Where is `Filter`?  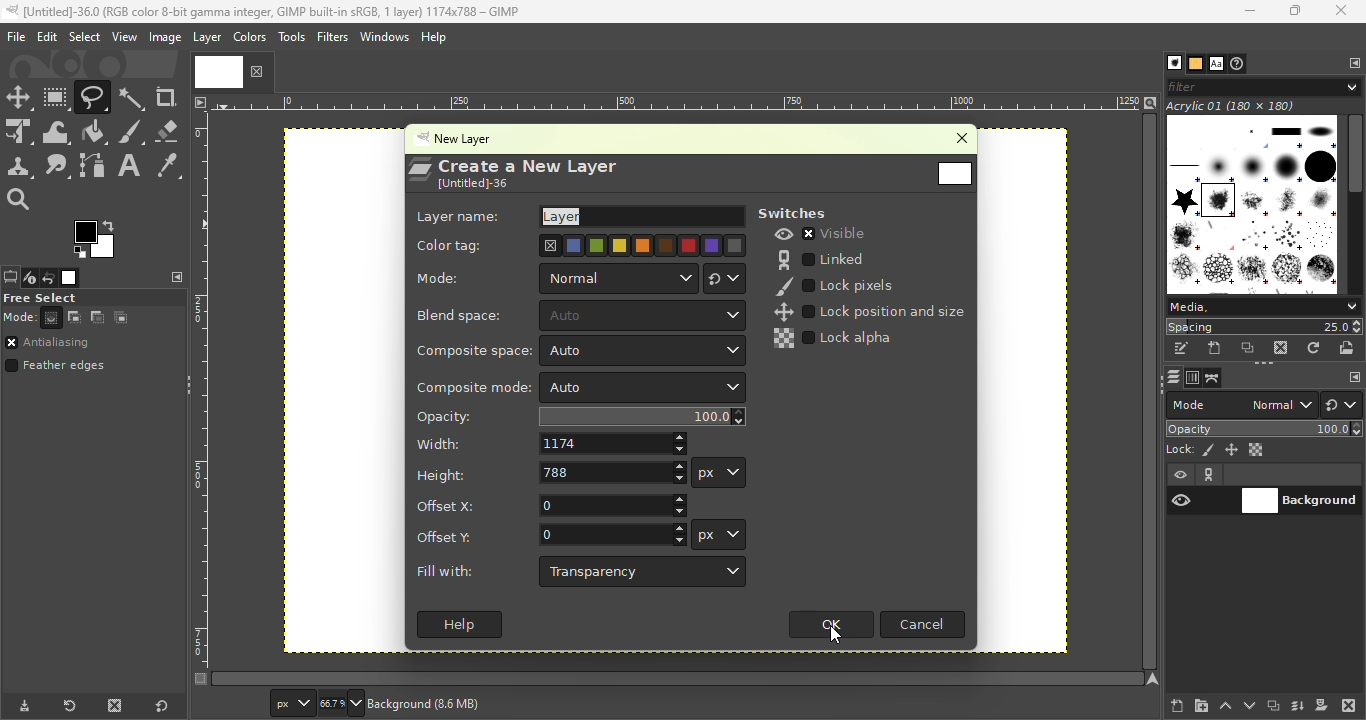 Filter is located at coordinates (1266, 86).